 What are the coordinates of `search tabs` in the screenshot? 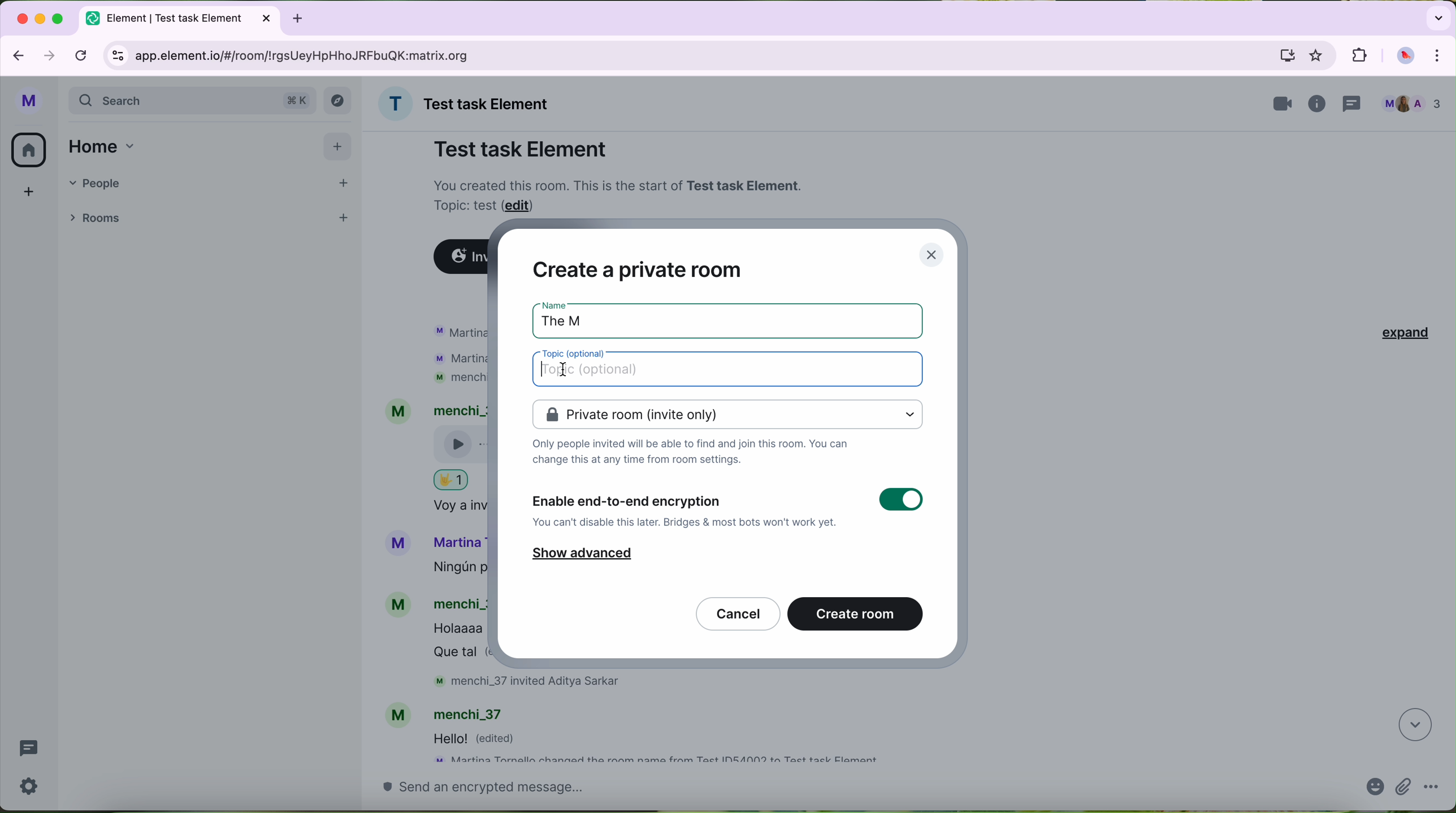 It's located at (1437, 17).